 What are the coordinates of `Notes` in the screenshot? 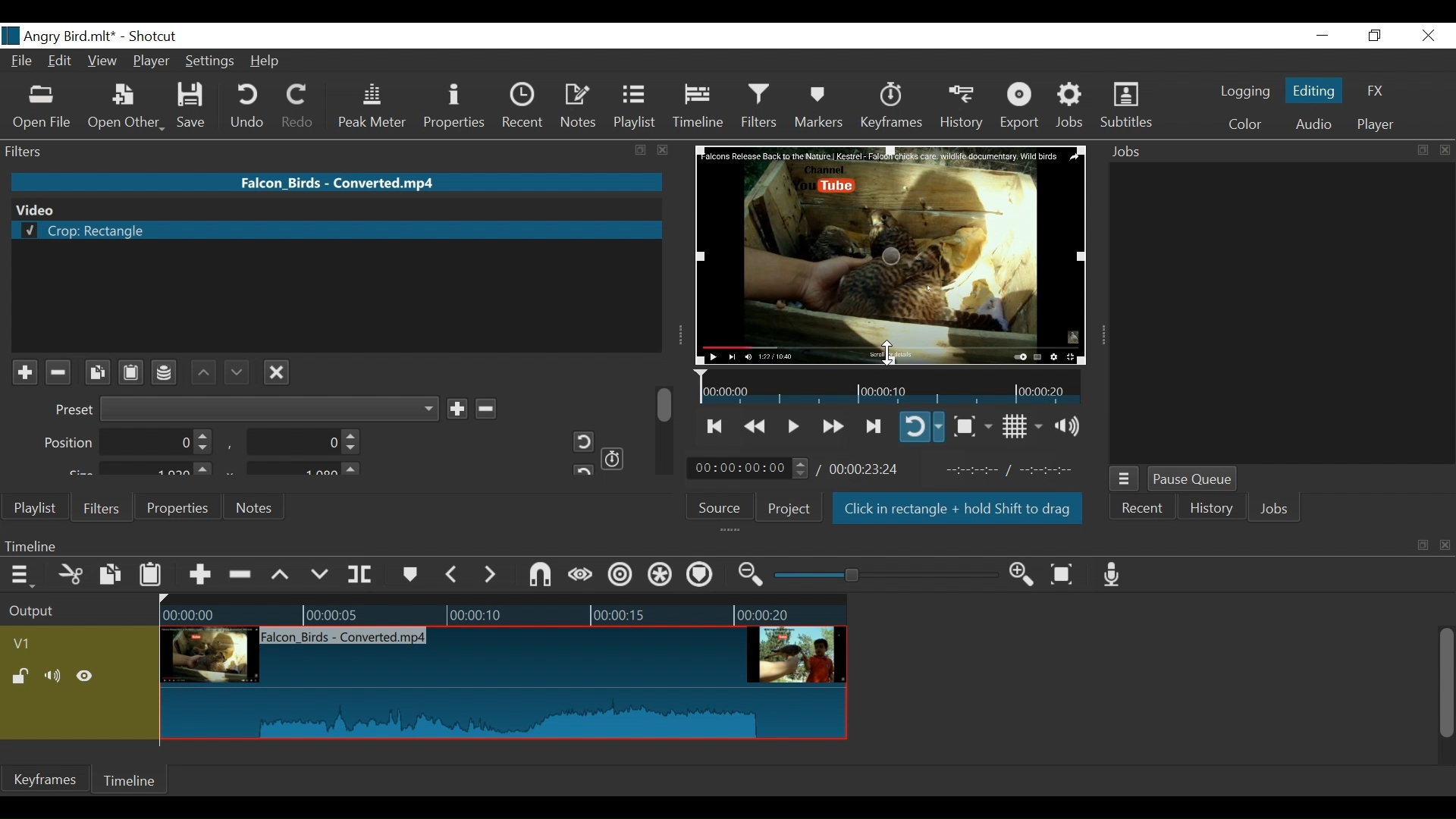 It's located at (256, 507).